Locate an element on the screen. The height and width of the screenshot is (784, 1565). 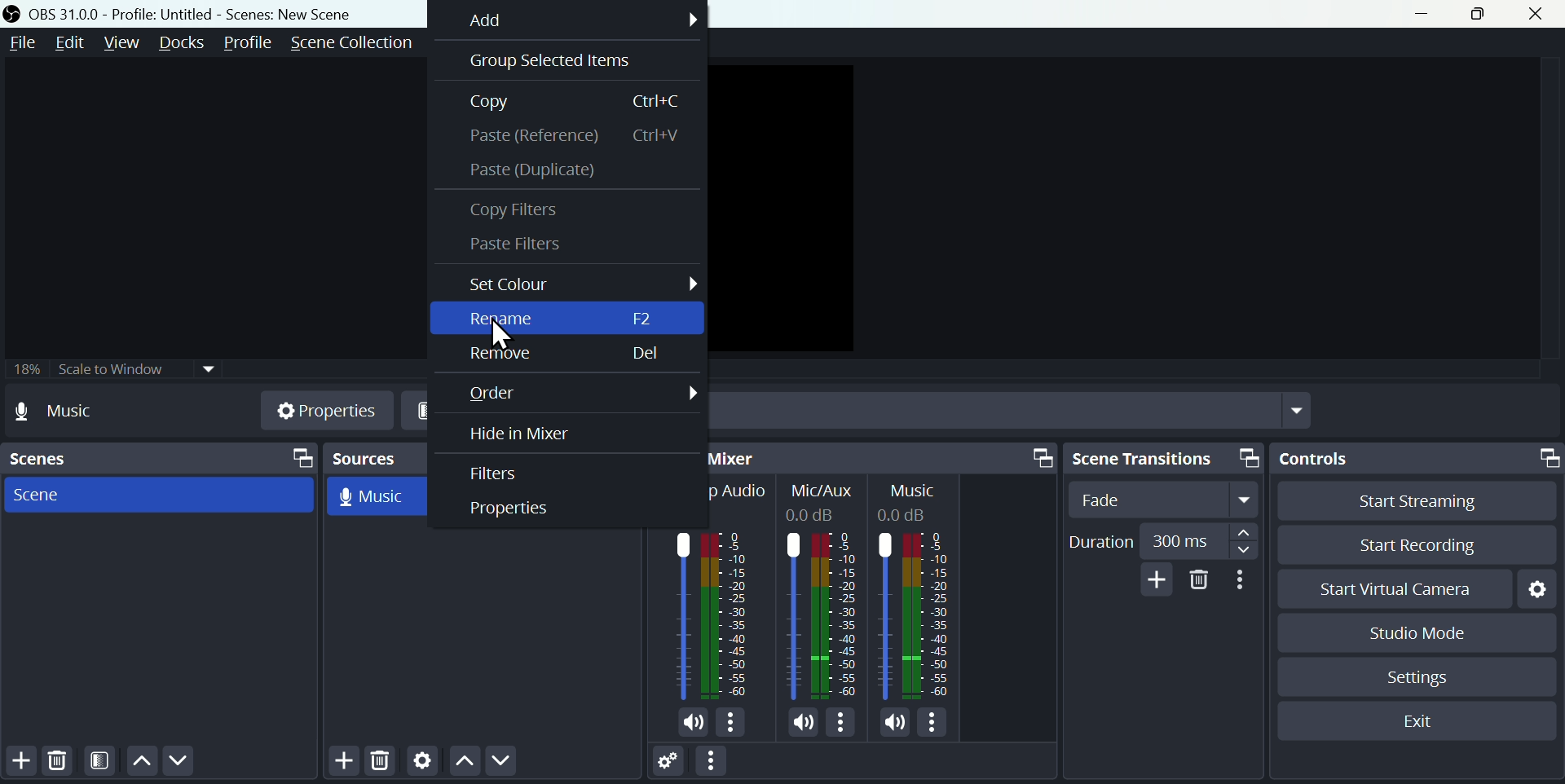
Sources is located at coordinates (374, 459).